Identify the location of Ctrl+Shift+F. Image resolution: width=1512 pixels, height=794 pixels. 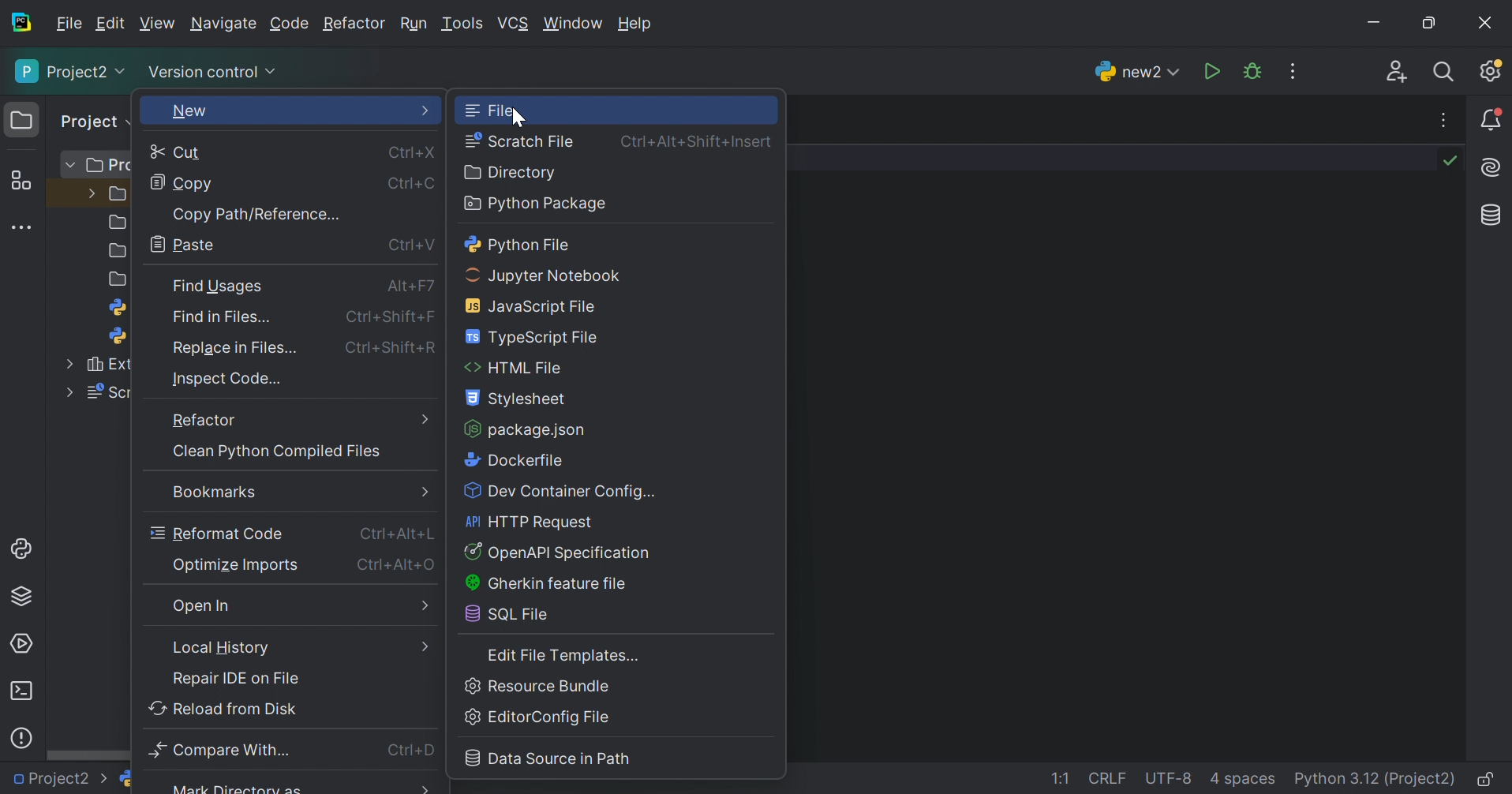
(396, 319).